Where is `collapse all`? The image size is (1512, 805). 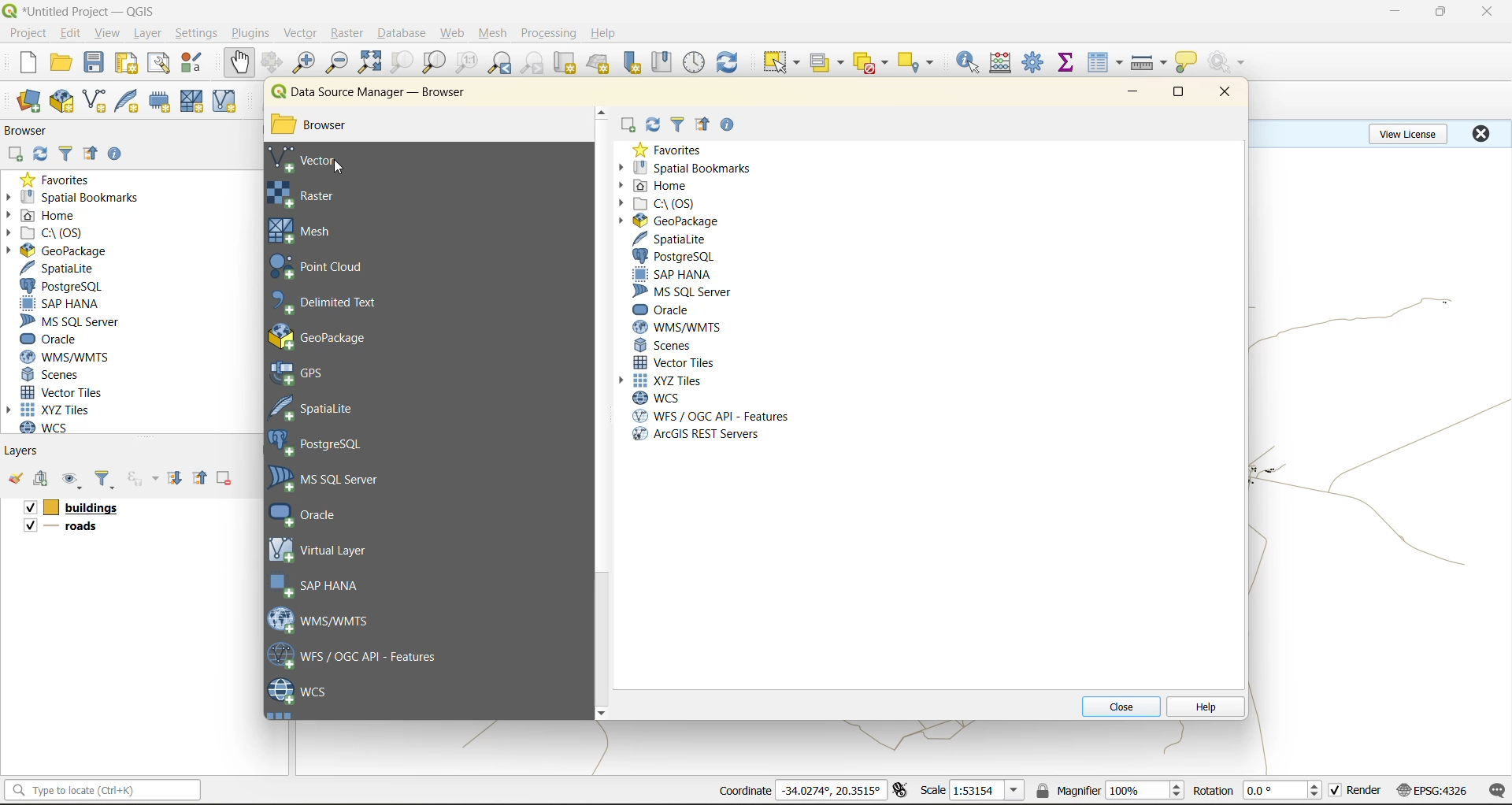
collapse all is located at coordinates (91, 157).